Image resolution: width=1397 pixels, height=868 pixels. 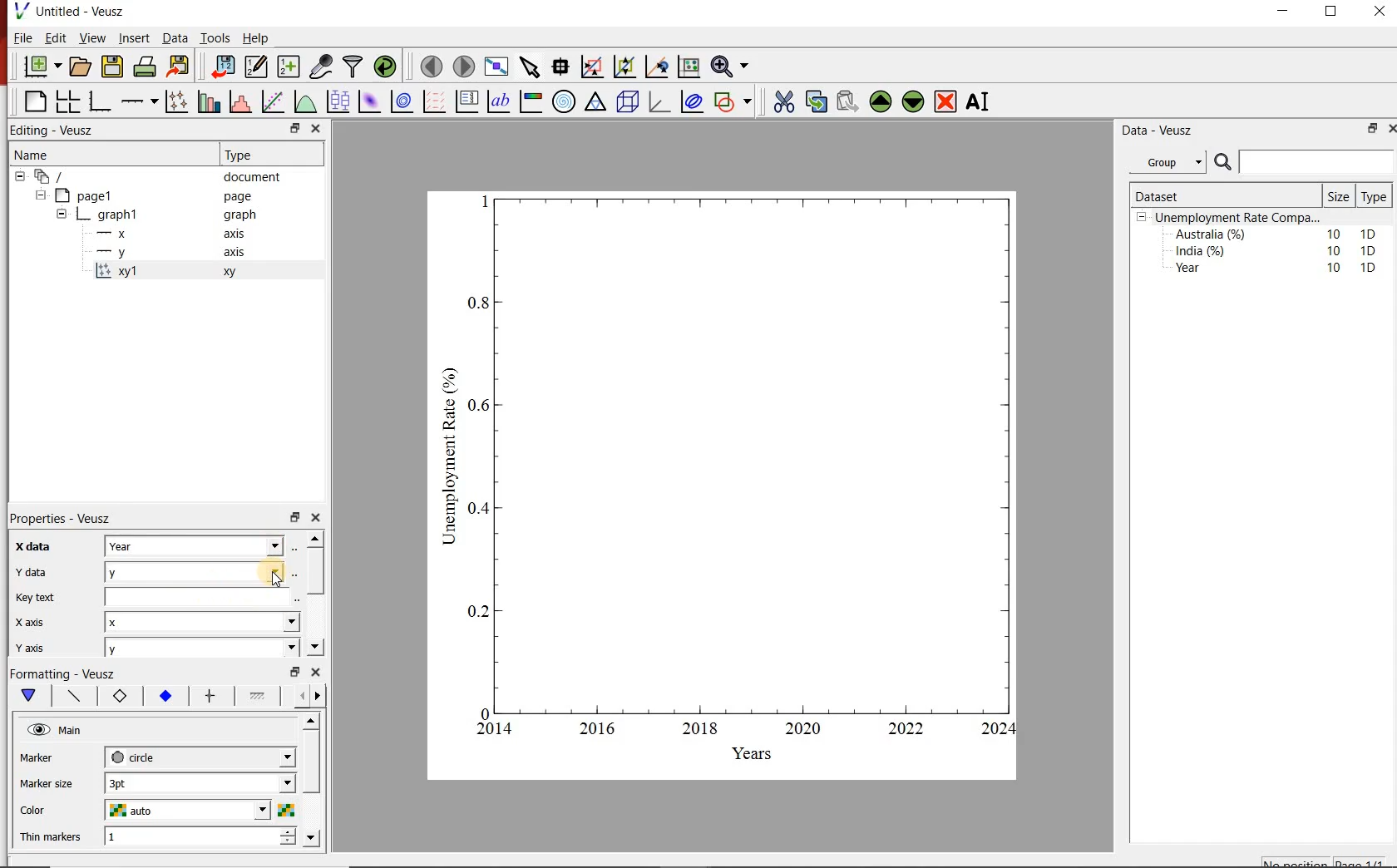 What do you see at coordinates (32, 696) in the screenshot?
I see `main` at bounding box center [32, 696].